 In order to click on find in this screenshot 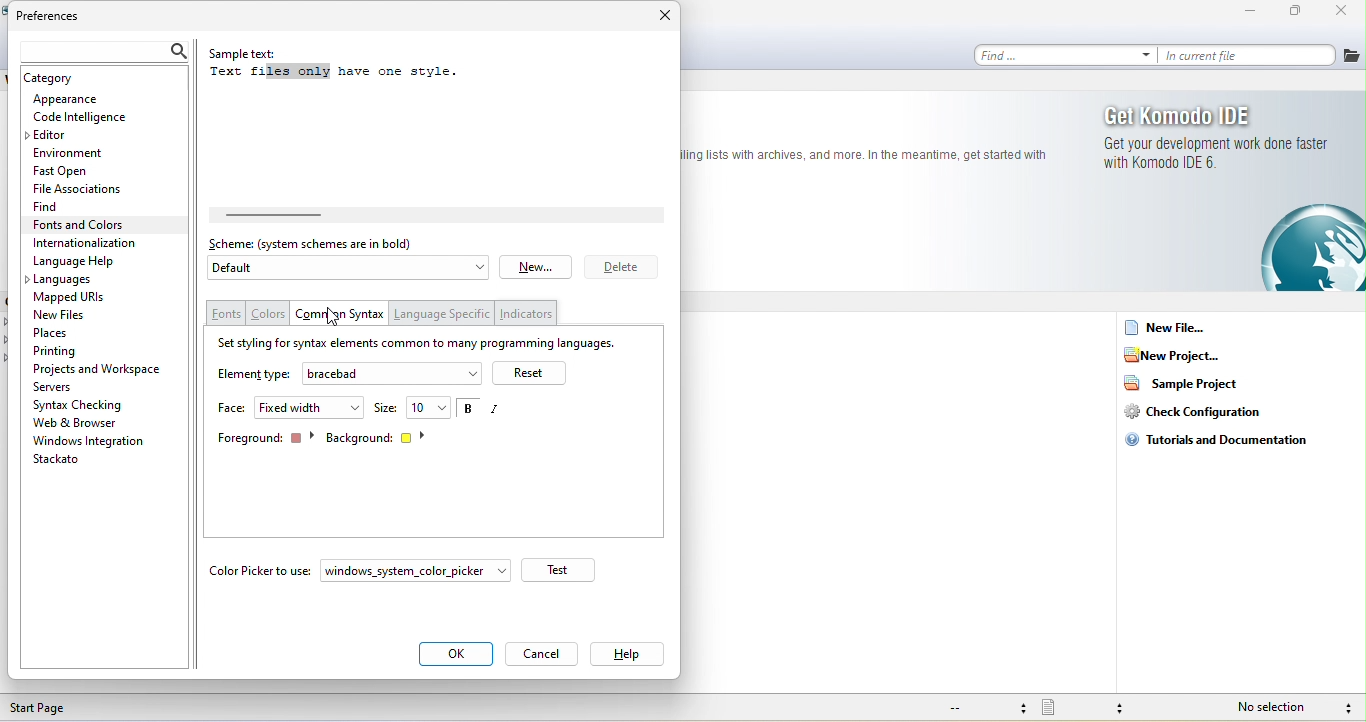, I will do `click(50, 206)`.